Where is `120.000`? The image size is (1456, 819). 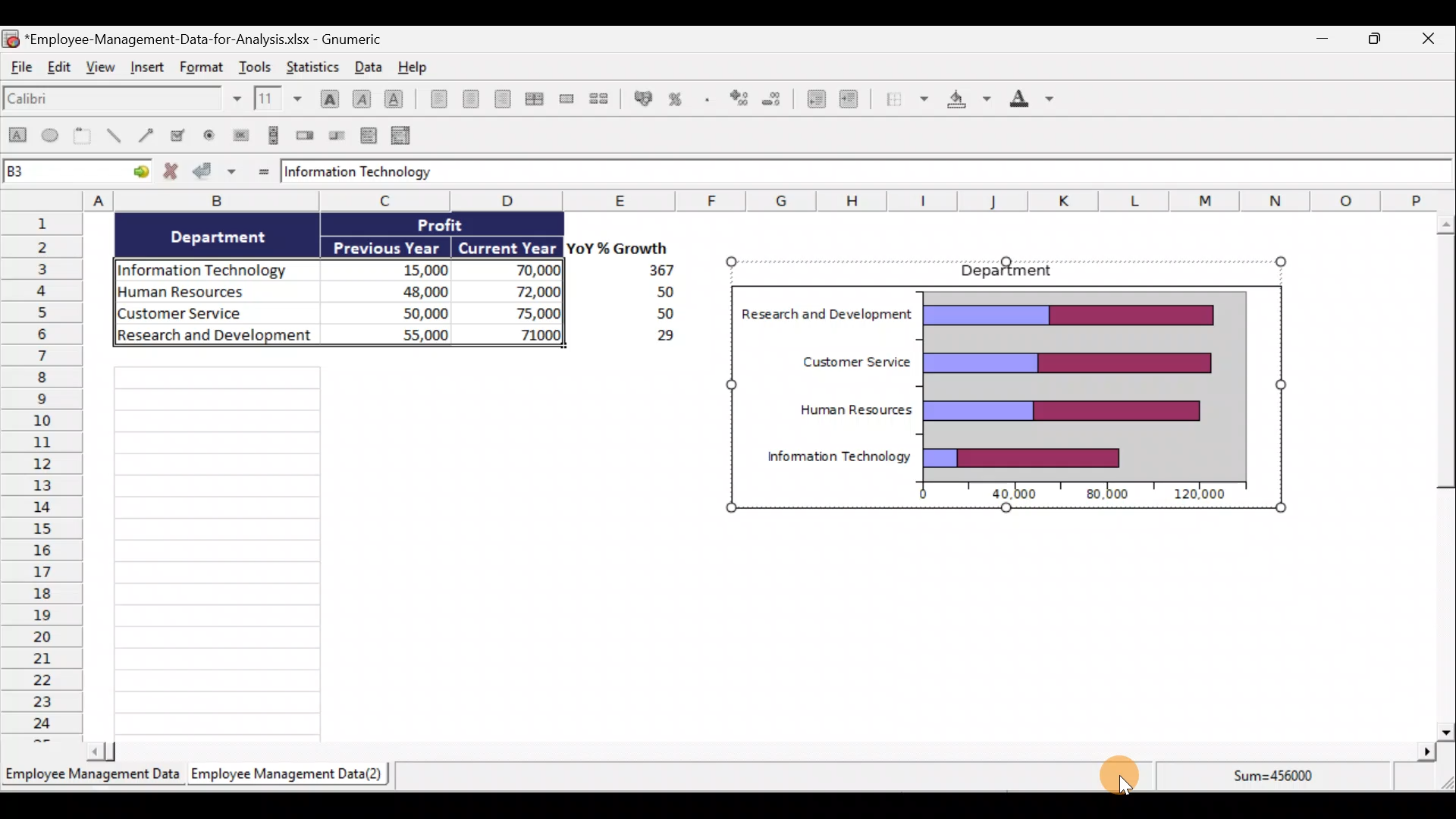 120.000 is located at coordinates (1203, 494).